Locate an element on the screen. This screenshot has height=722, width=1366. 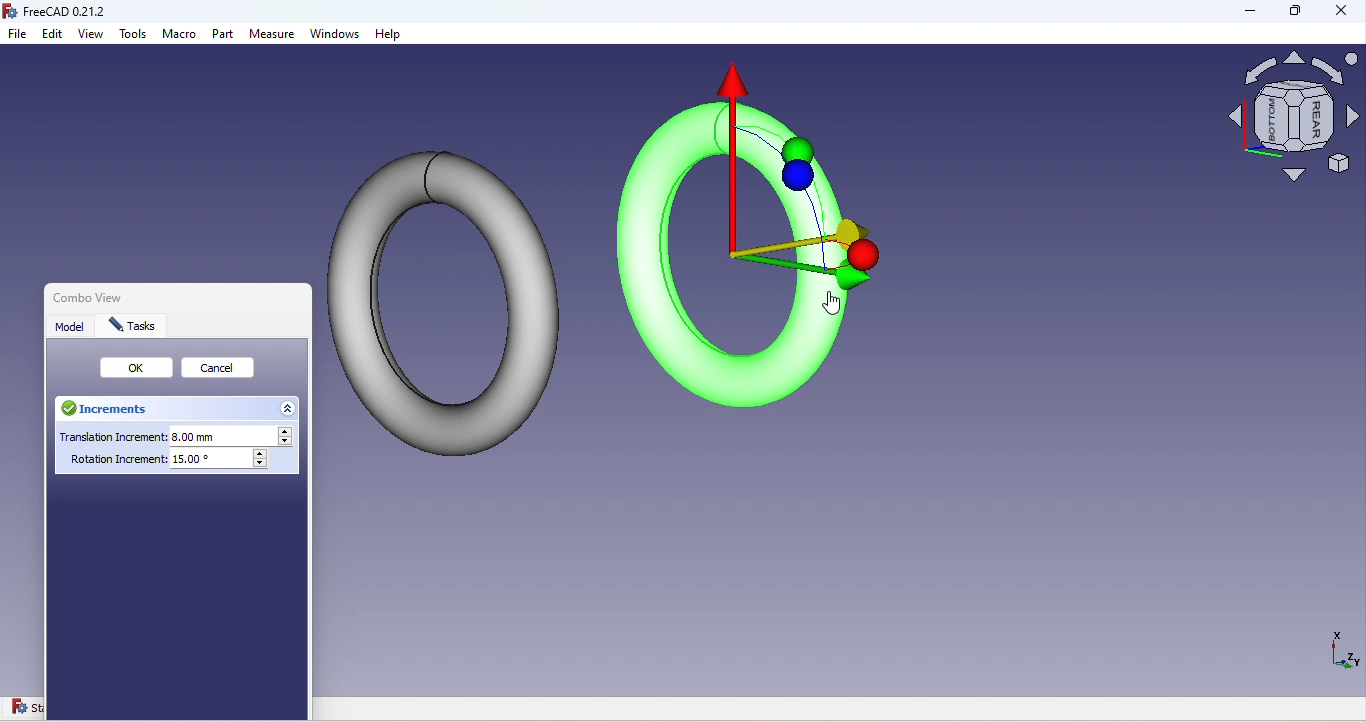
Part is located at coordinates (224, 36).